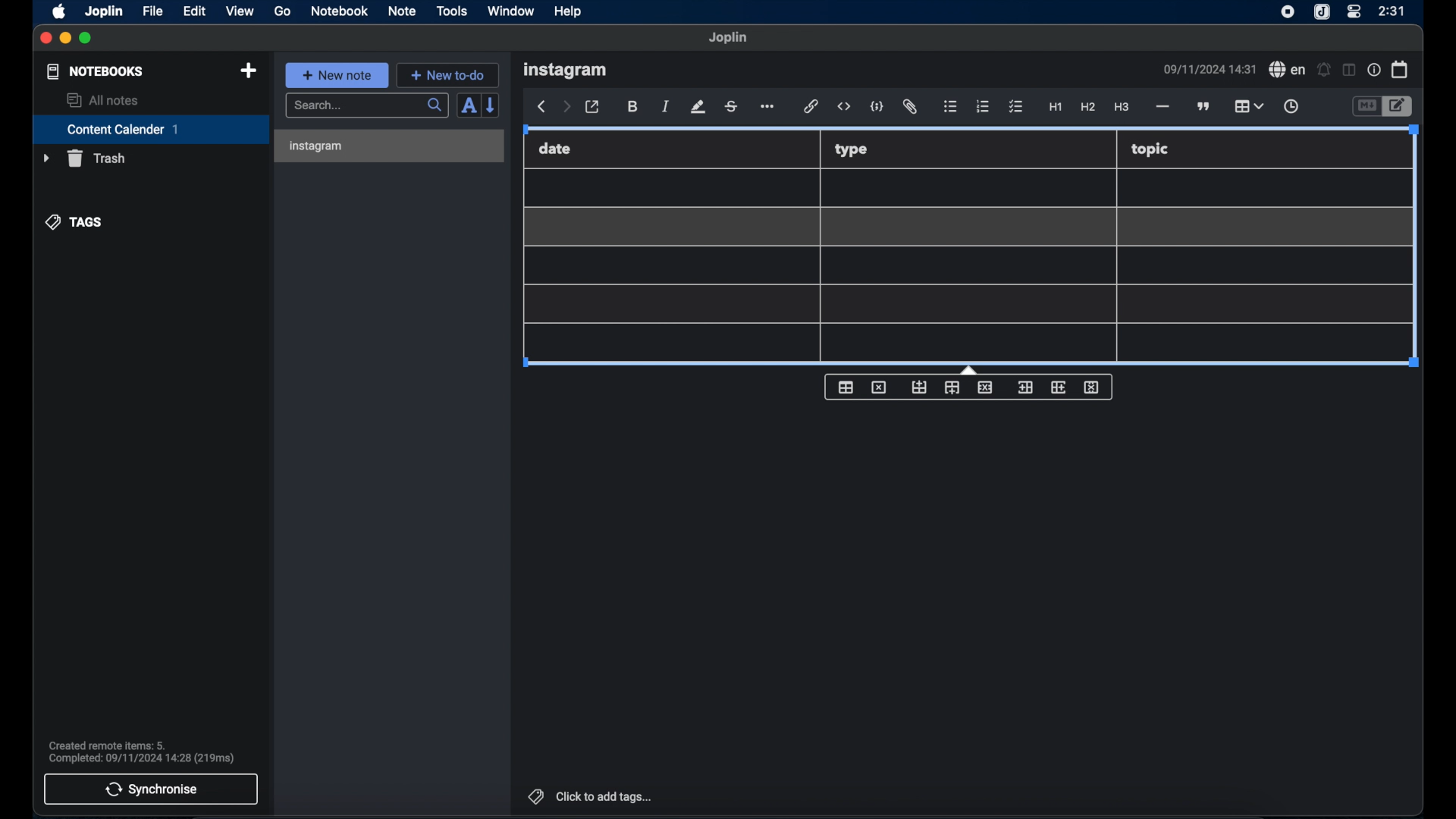 Image resolution: width=1456 pixels, height=819 pixels. I want to click on edit, so click(196, 12).